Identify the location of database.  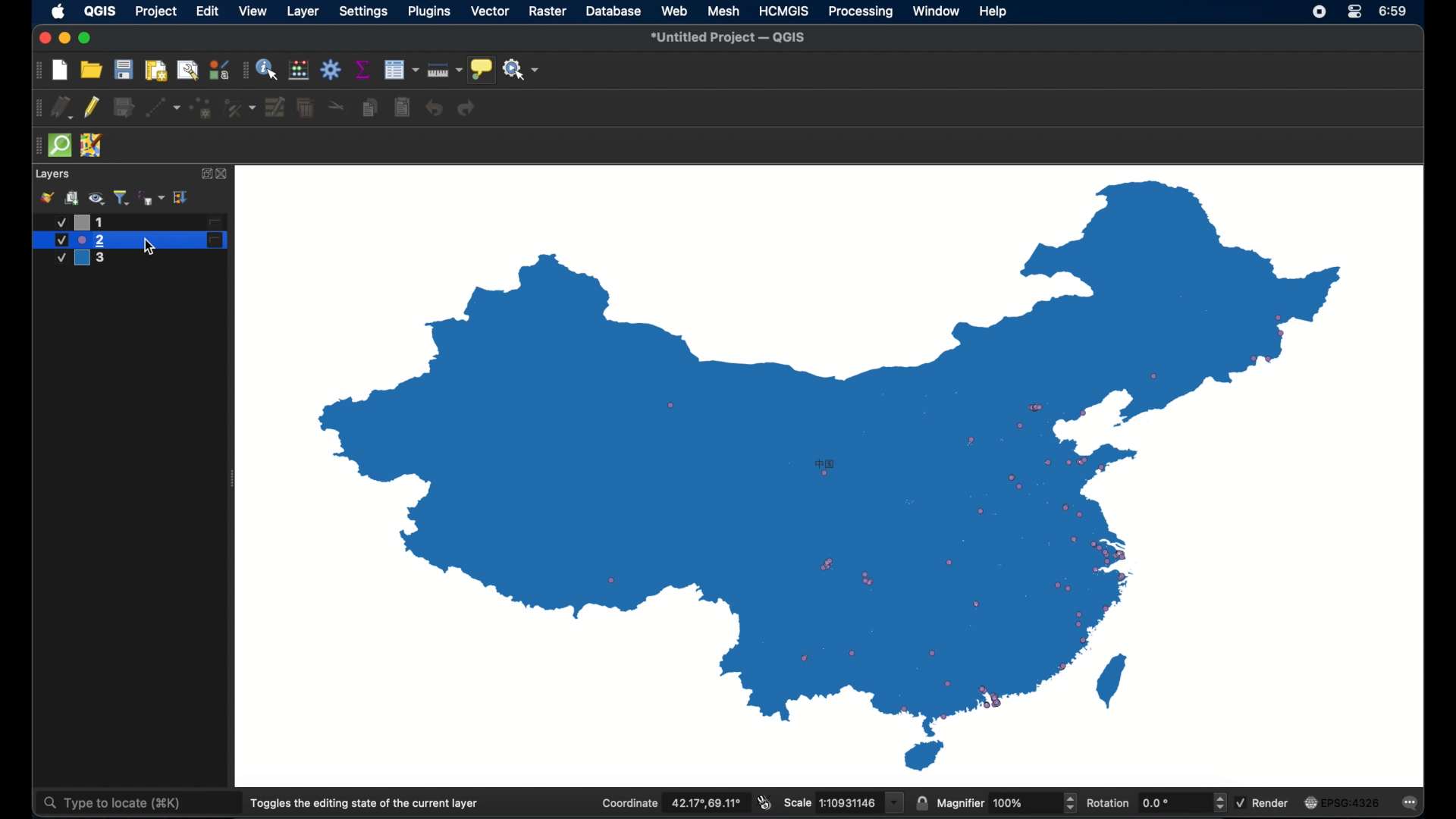
(613, 11).